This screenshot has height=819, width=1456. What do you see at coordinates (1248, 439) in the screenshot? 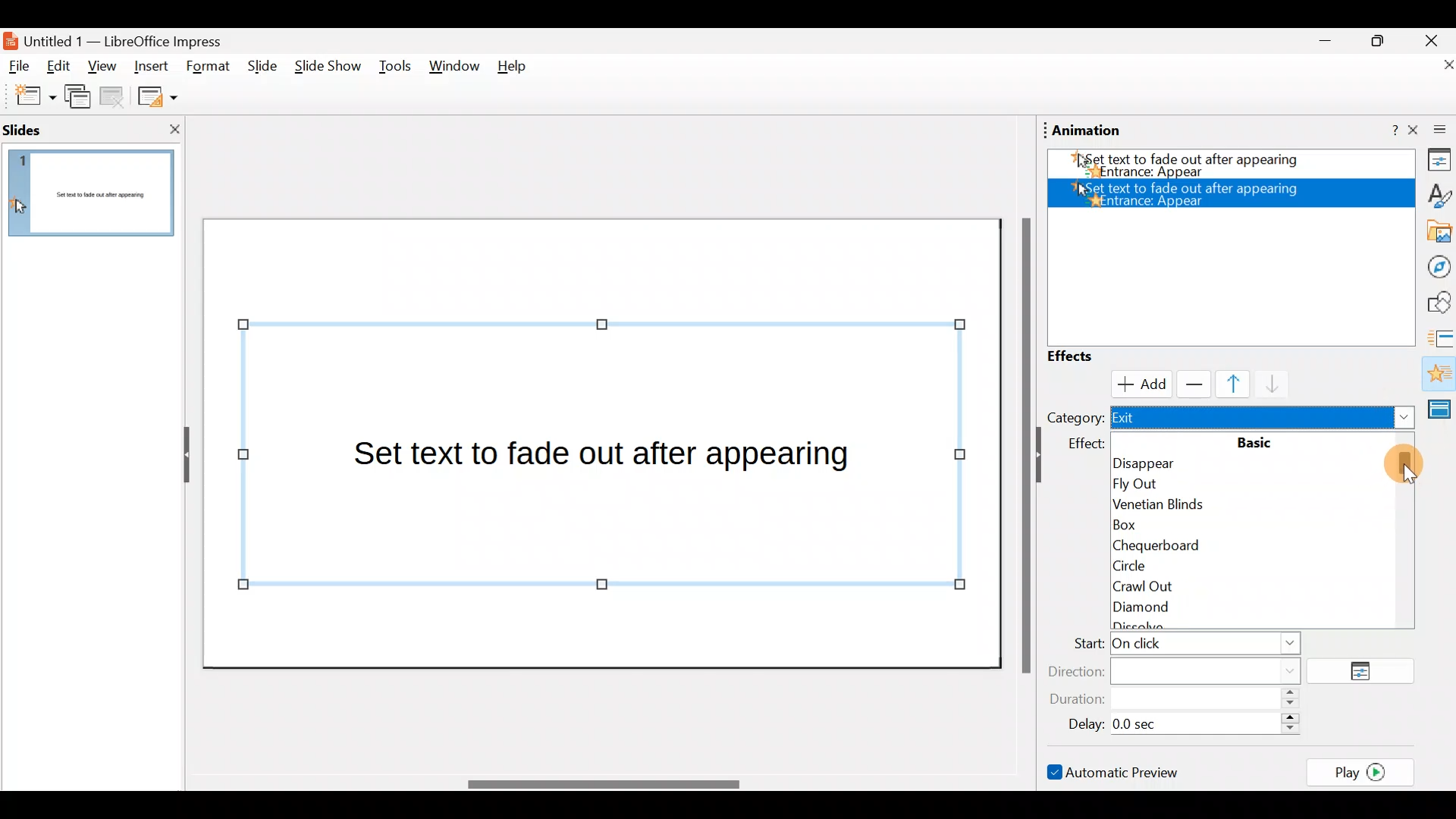
I see `Basic` at bounding box center [1248, 439].